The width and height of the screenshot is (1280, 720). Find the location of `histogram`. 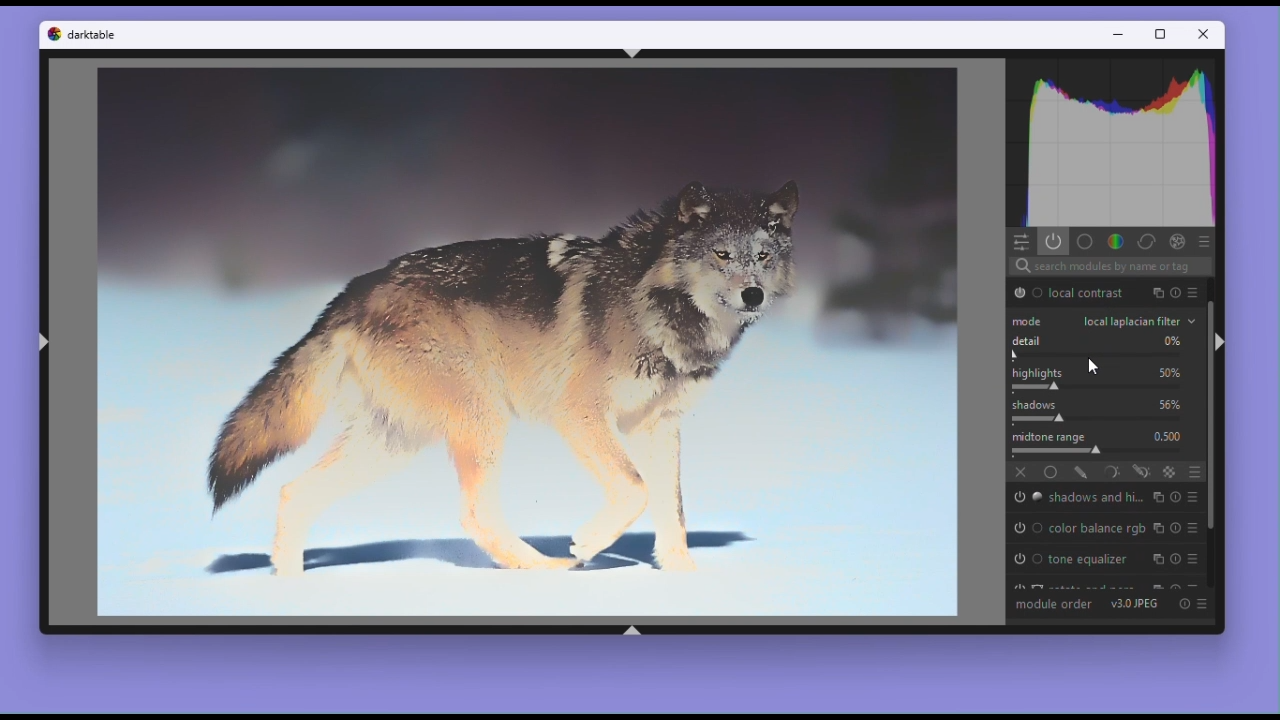

histogram is located at coordinates (1117, 141).